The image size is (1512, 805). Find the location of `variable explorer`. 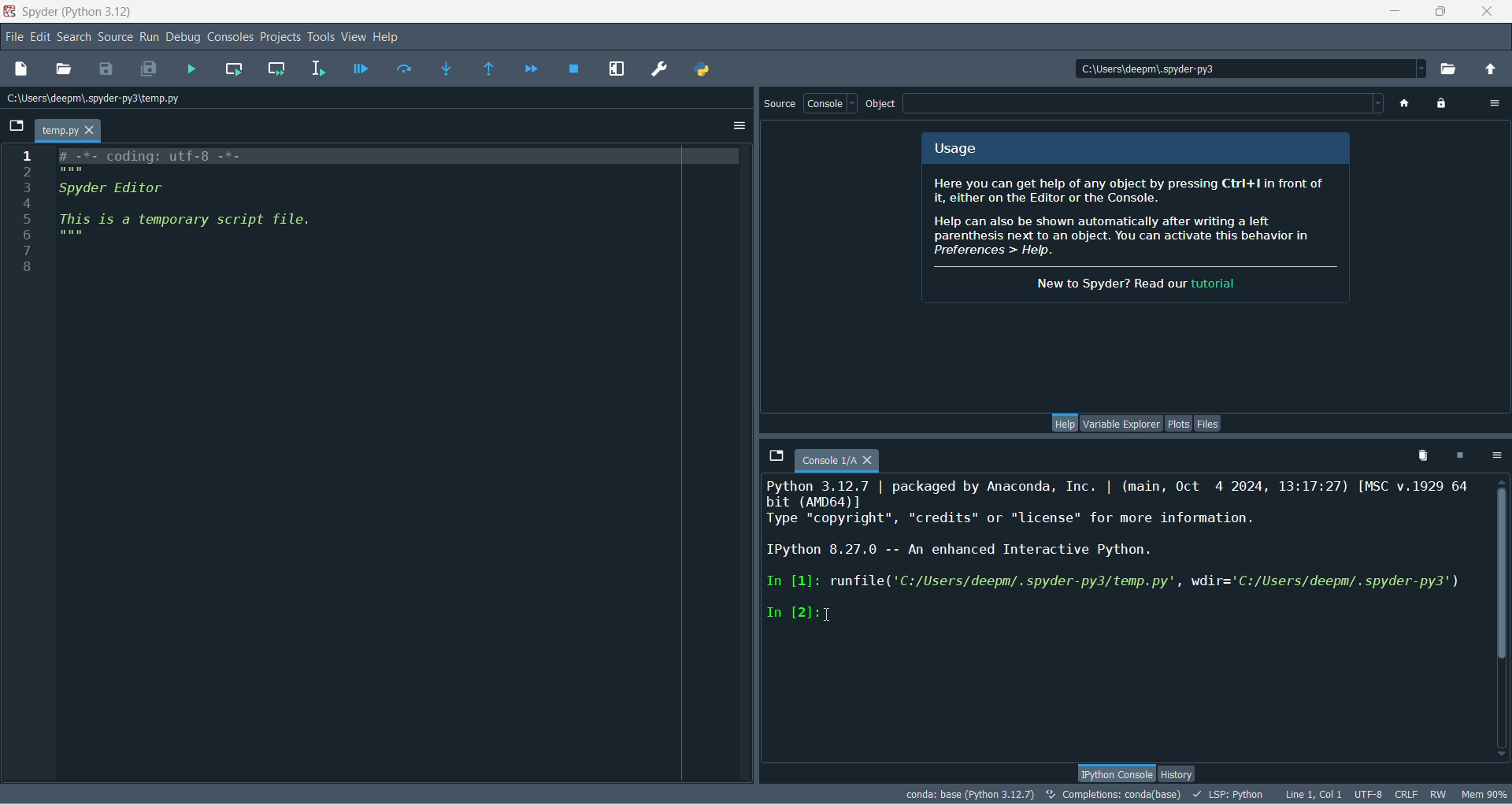

variable explorer is located at coordinates (1120, 424).